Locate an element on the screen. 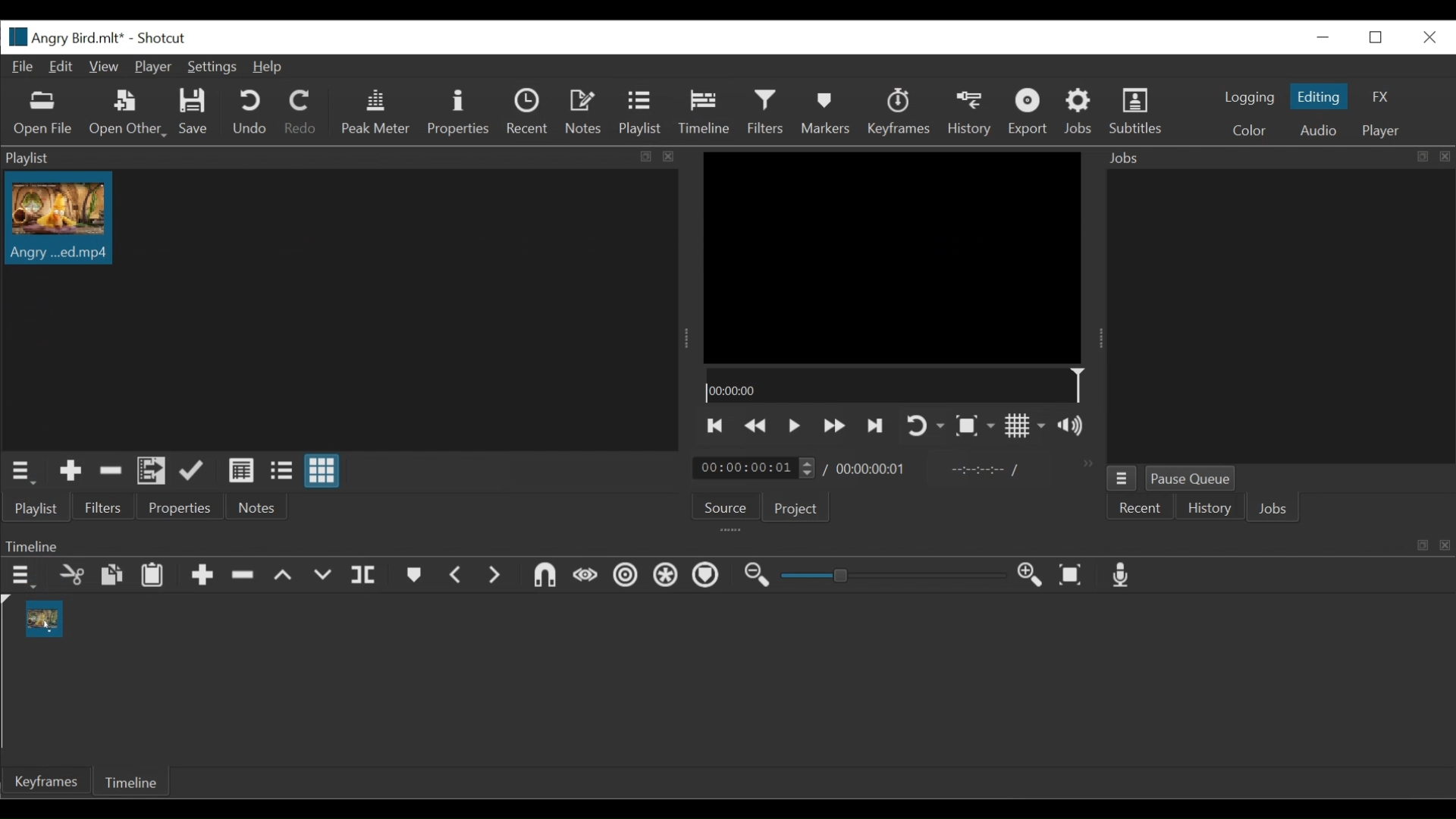 The height and width of the screenshot is (819, 1456). Edit is located at coordinates (61, 67).